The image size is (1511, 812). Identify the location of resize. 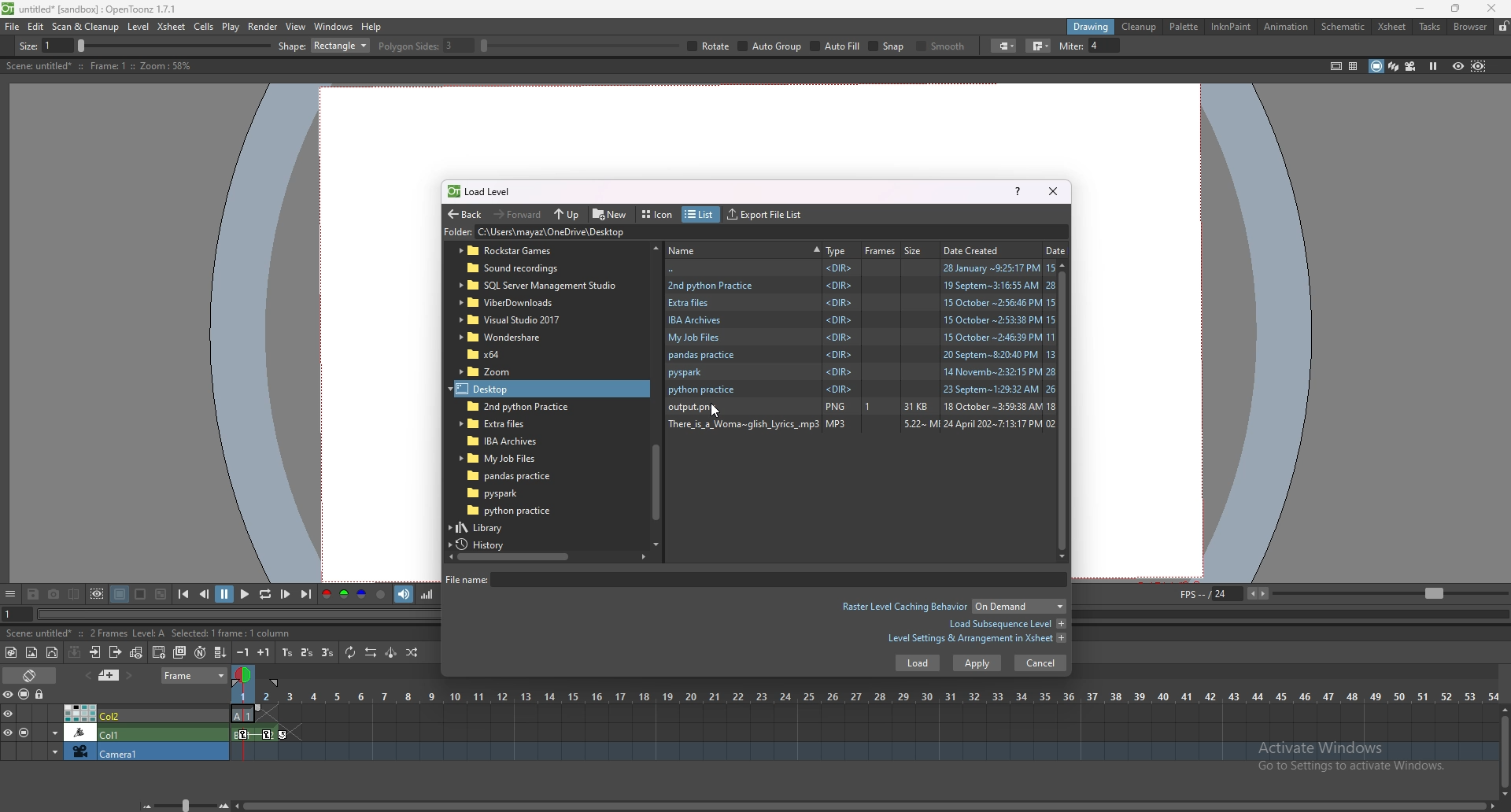
(1455, 9).